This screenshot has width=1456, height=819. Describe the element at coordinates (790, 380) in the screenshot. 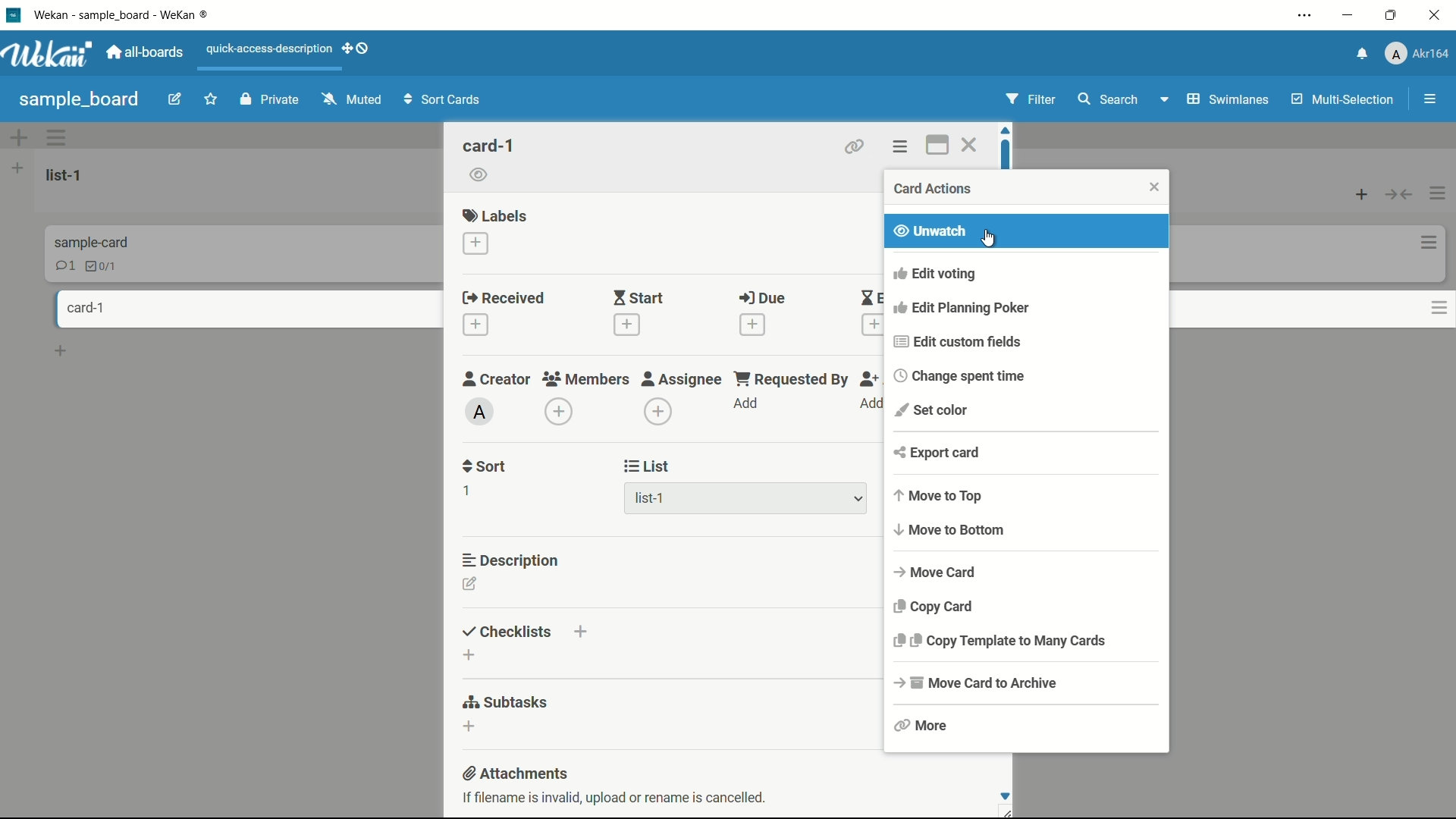

I see `requested by` at that location.